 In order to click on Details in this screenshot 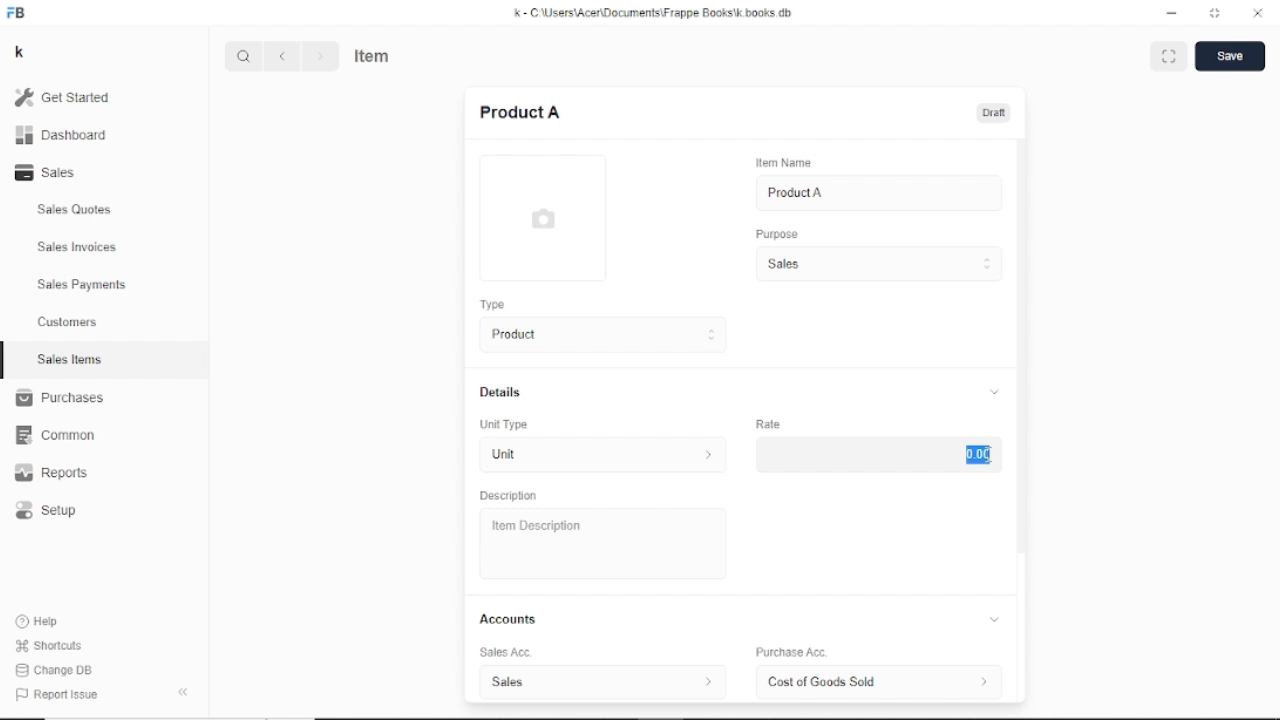, I will do `click(739, 392)`.